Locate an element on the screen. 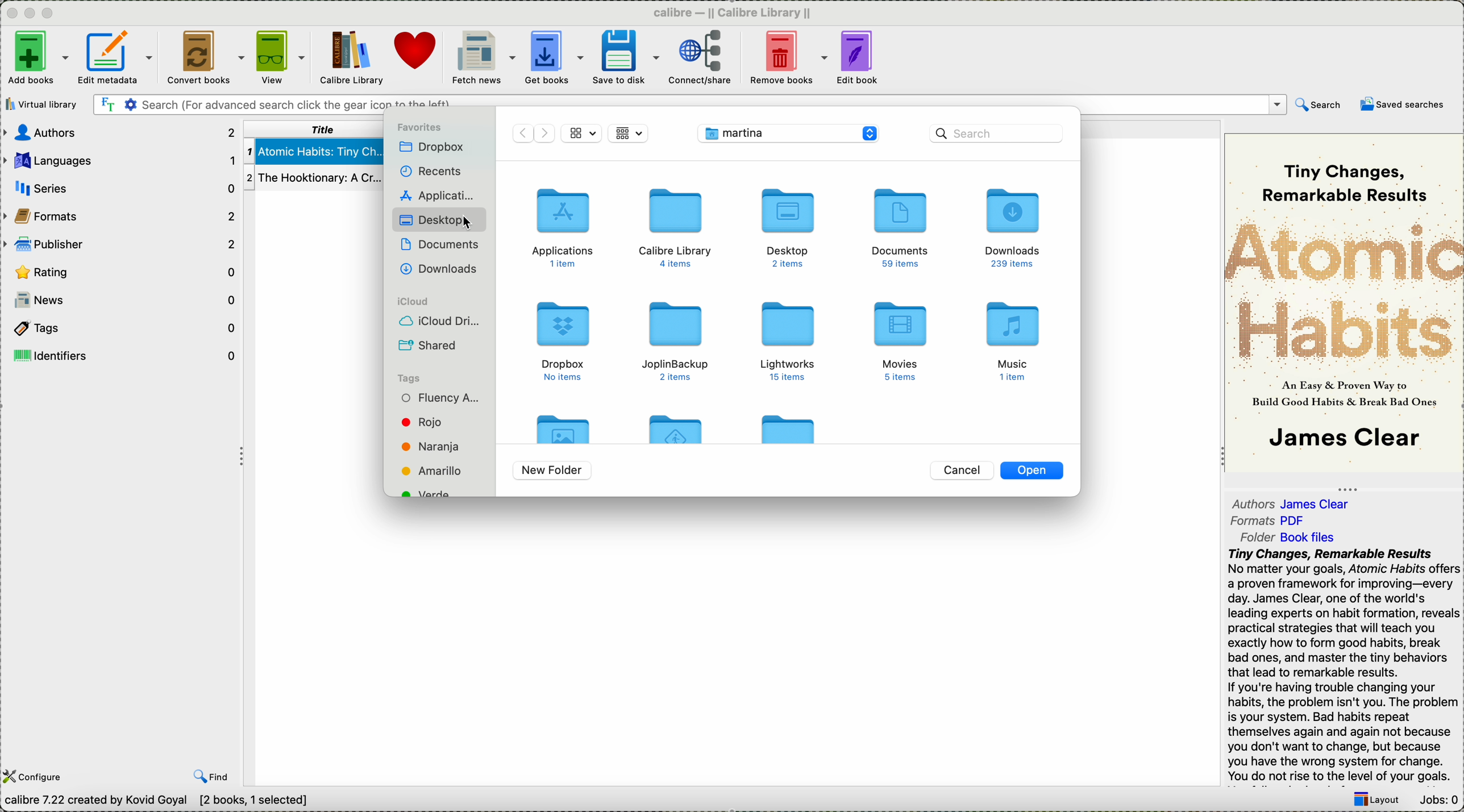 Image resolution: width=1464 pixels, height=812 pixels. edit book is located at coordinates (859, 59).